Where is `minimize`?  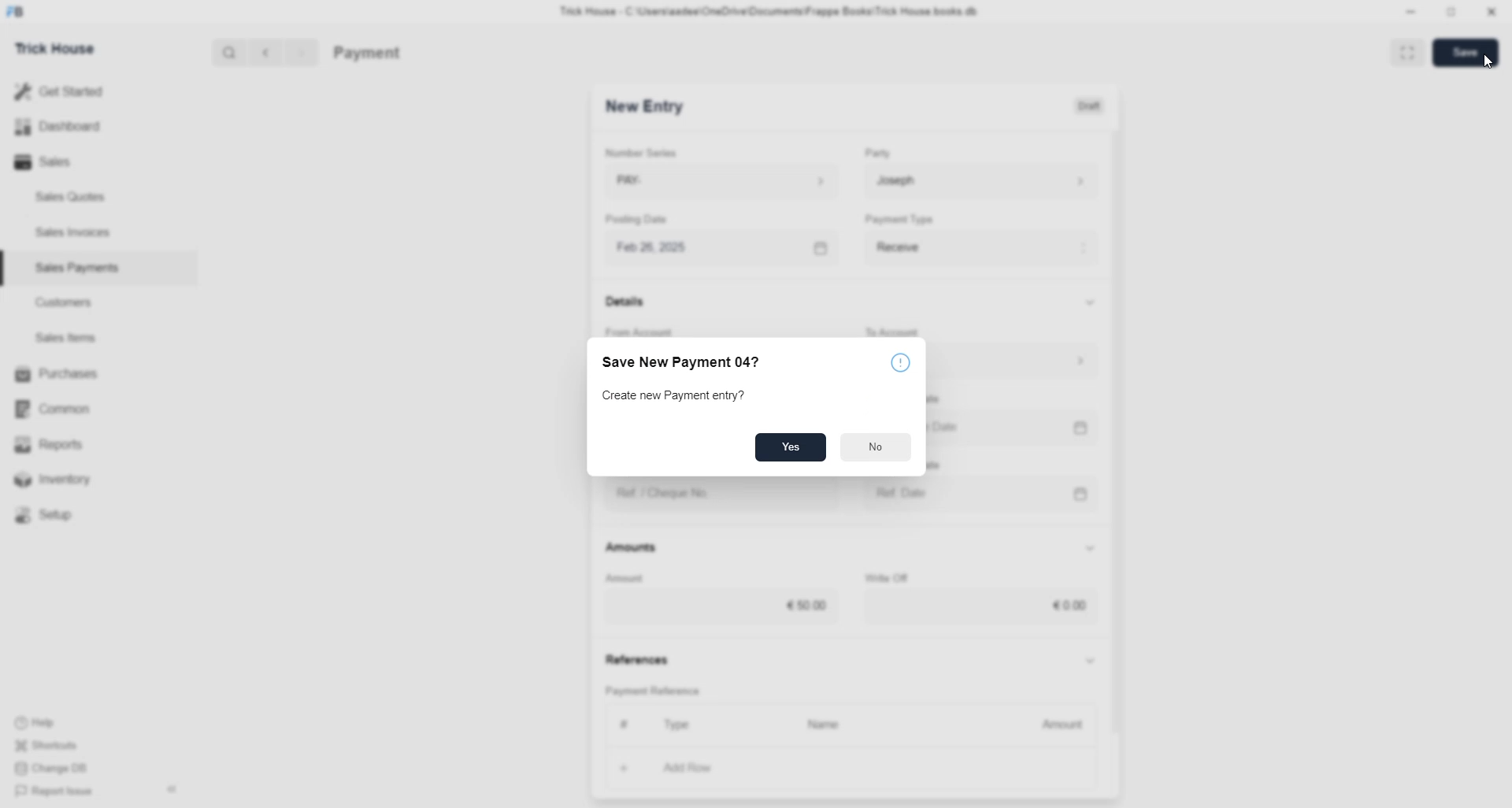 minimize is located at coordinates (1411, 13).